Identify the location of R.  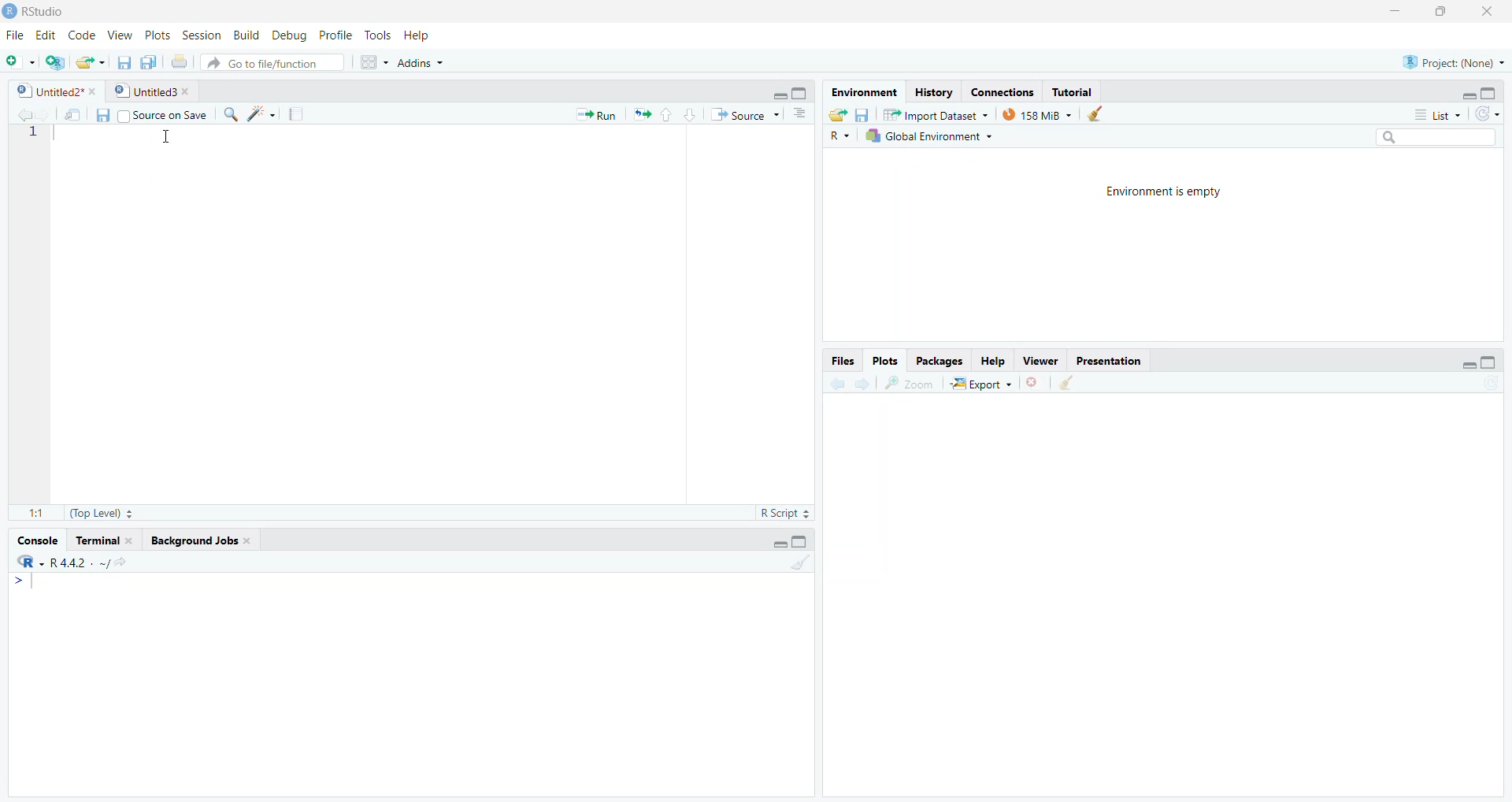
(25, 562).